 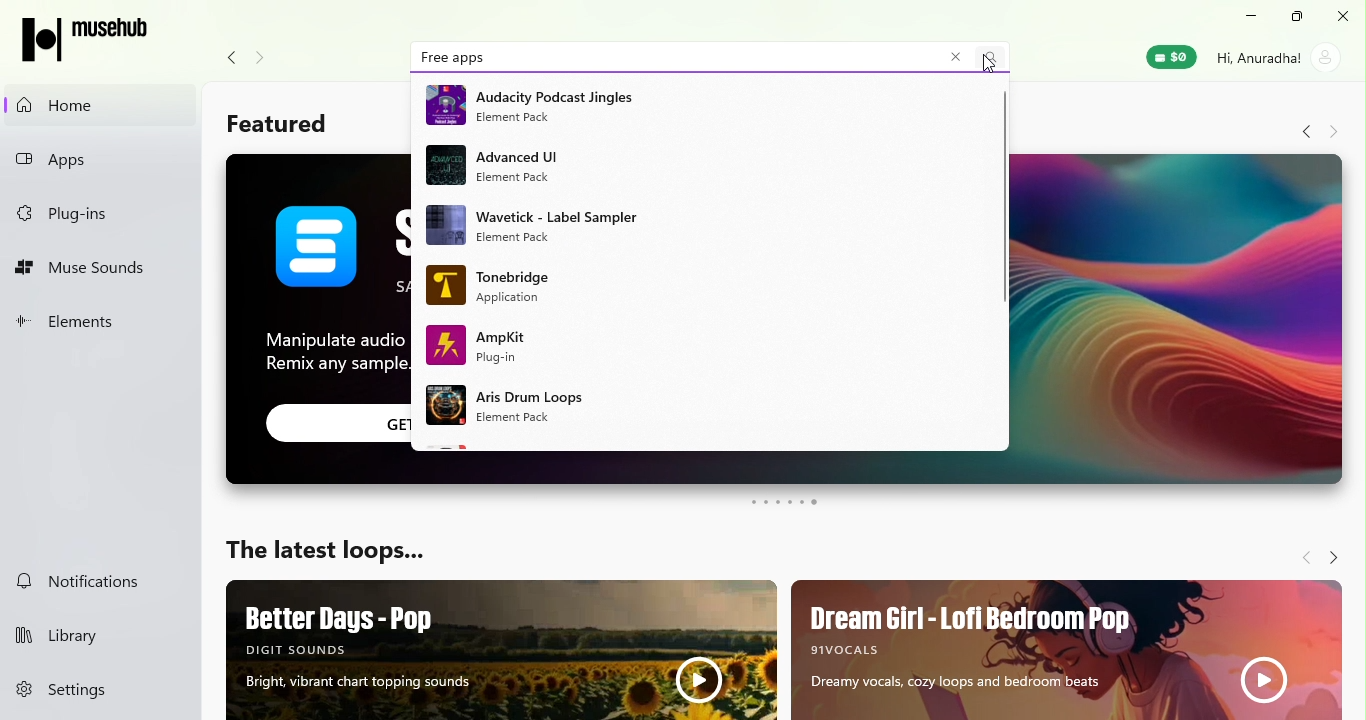 What do you see at coordinates (708, 167) in the screenshot?
I see `Ad` at bounding box center [708, 167].